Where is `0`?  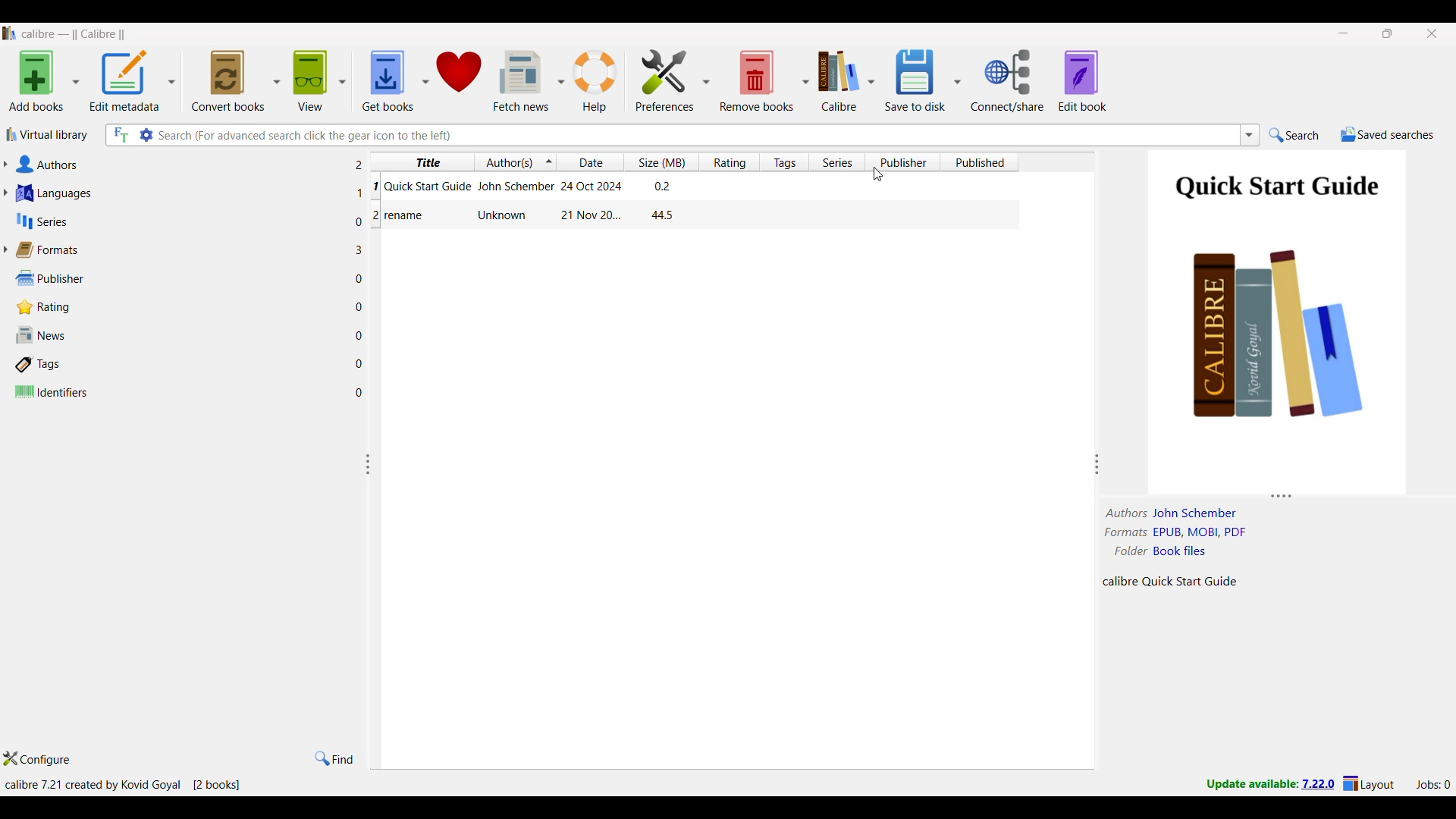
0 is located at coordinates (362, 335).